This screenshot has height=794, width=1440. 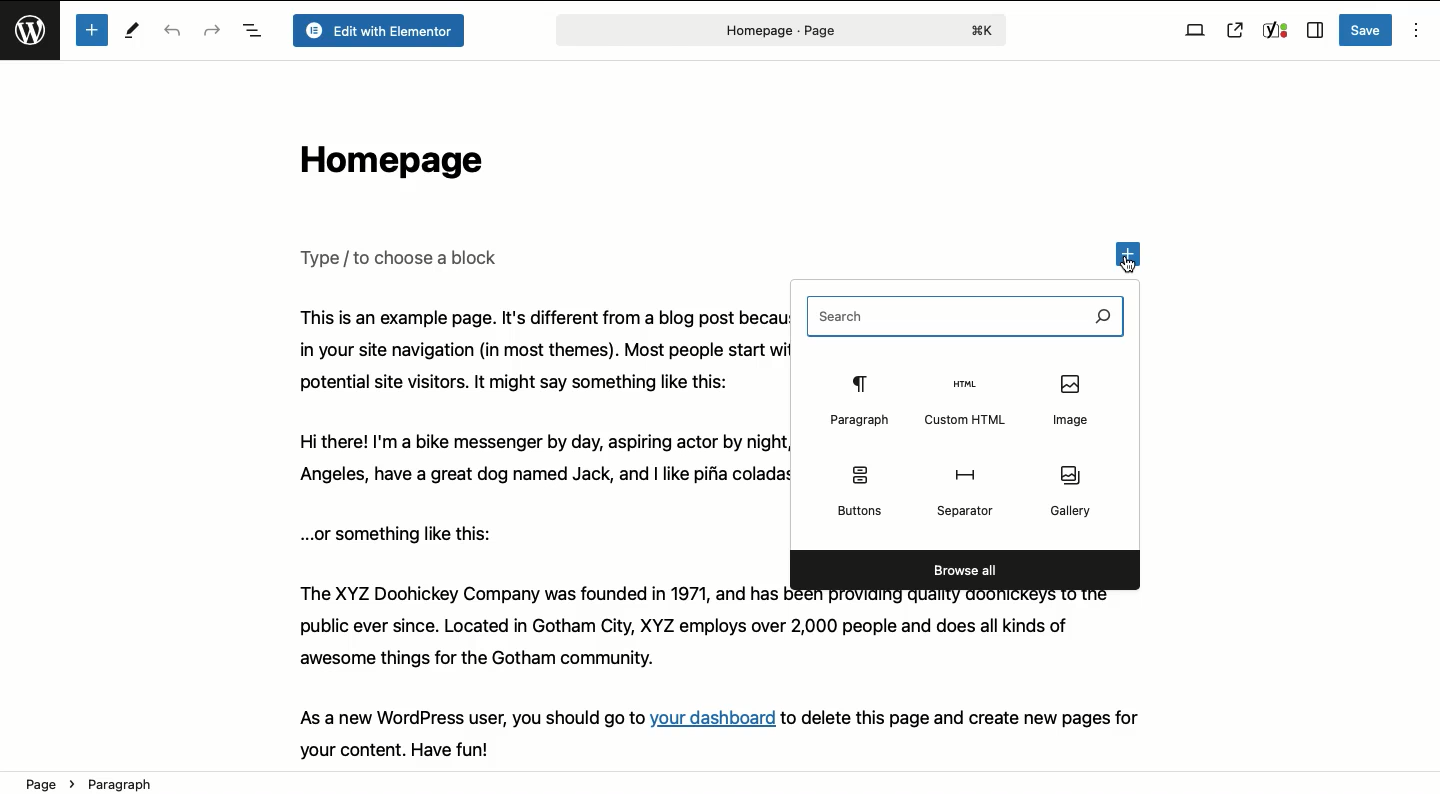 I want to click on Add new block, so click(x=91, y=30).